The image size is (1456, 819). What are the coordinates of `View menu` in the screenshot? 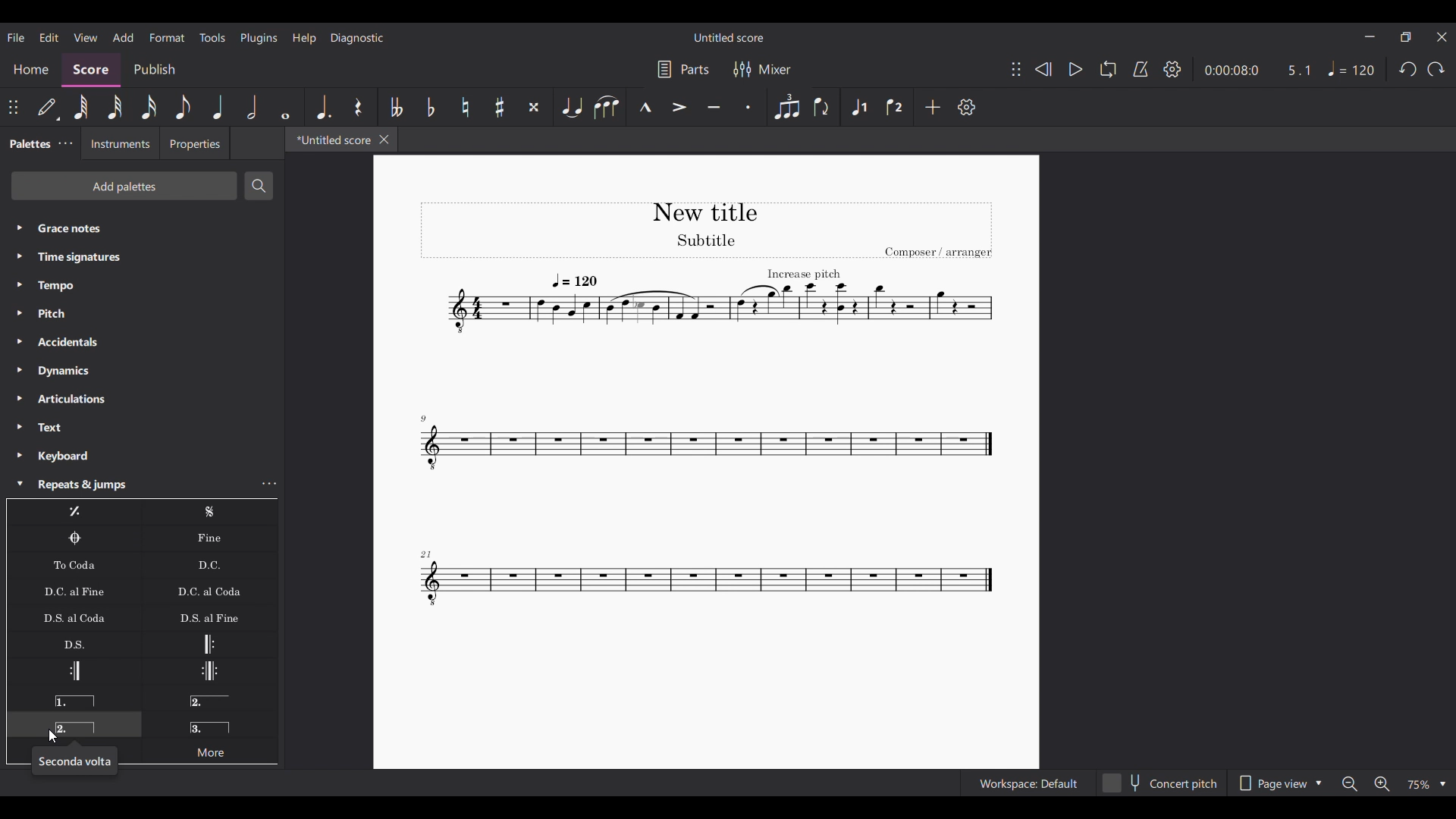 It's located at (86, 37).